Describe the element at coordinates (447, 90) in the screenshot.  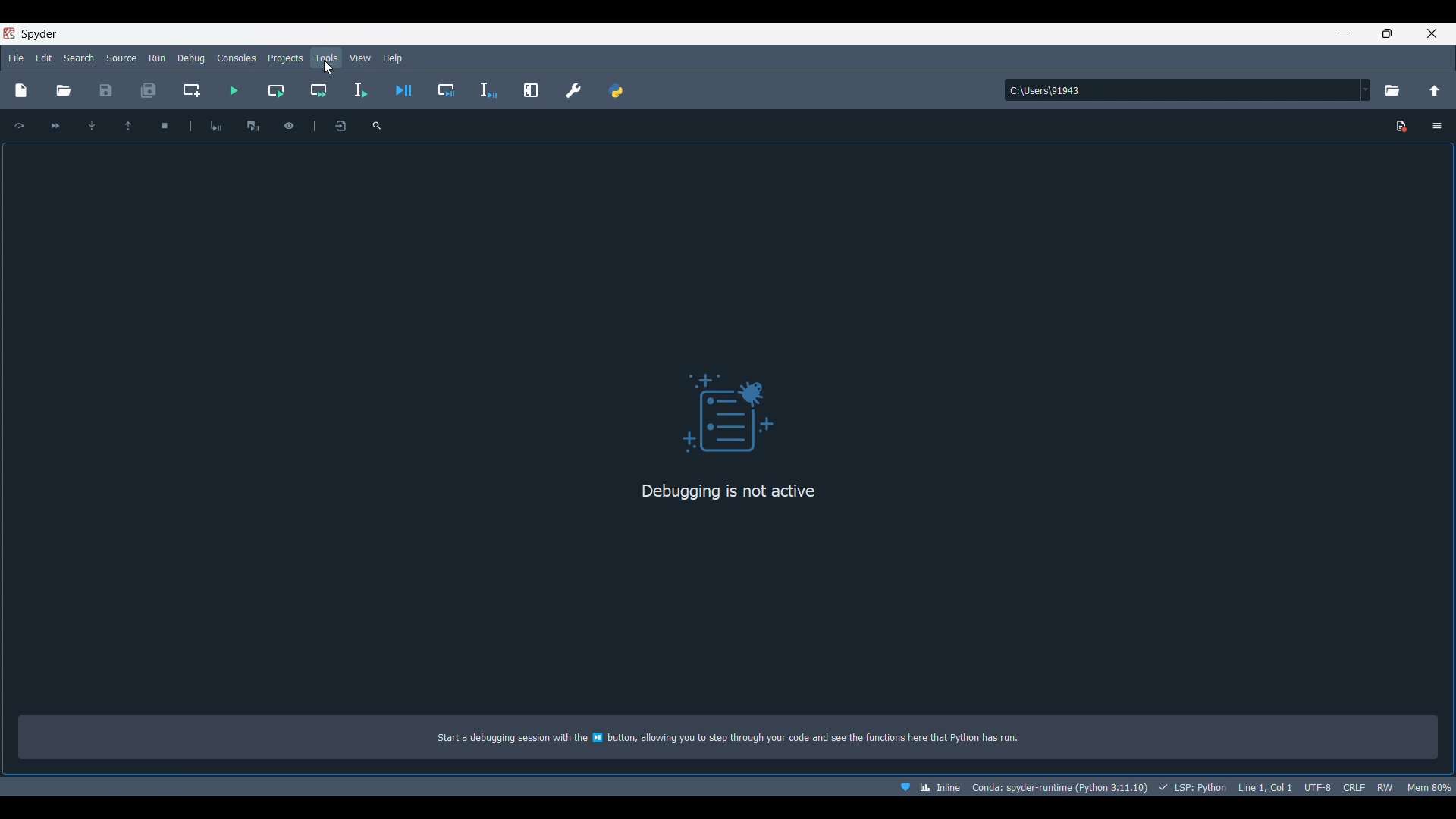
I see `Debug cell` at that location.